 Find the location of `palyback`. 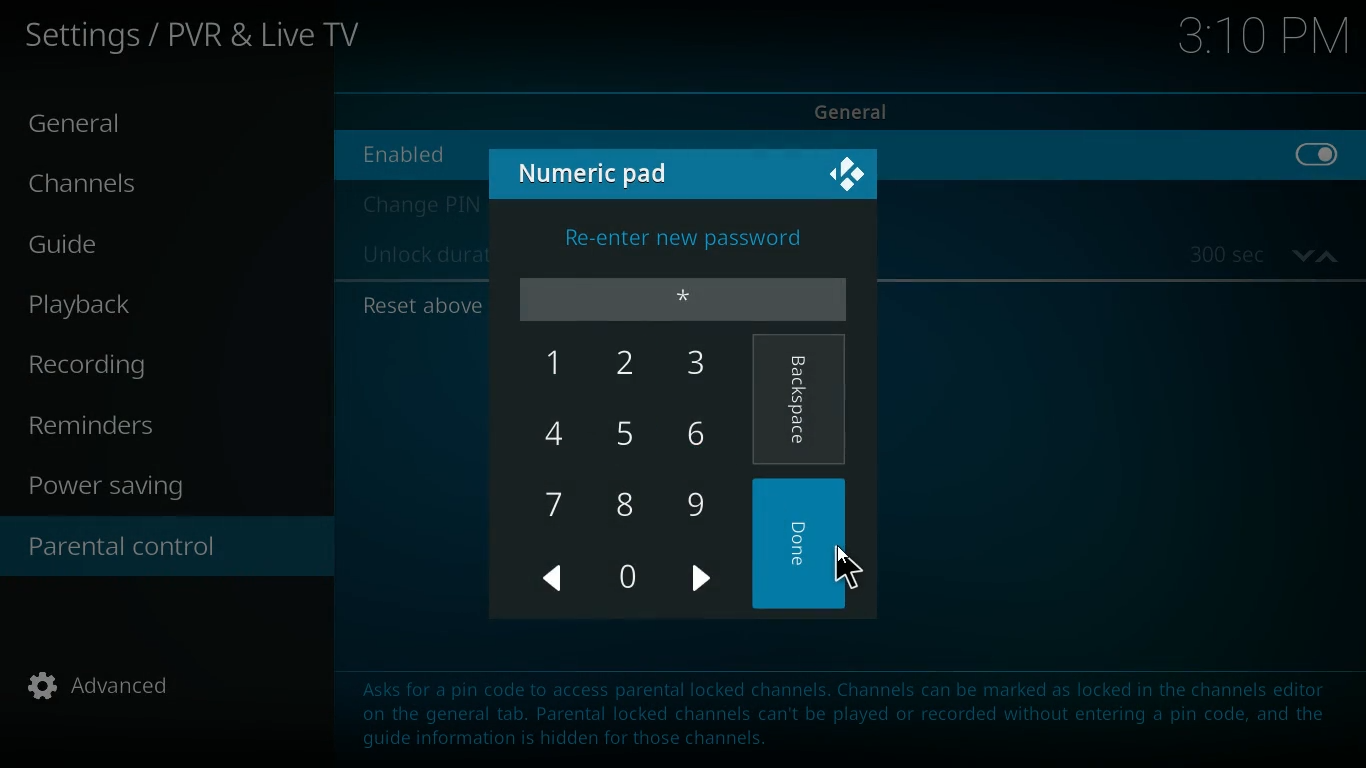

palyback is located at coordinates (102, 305).